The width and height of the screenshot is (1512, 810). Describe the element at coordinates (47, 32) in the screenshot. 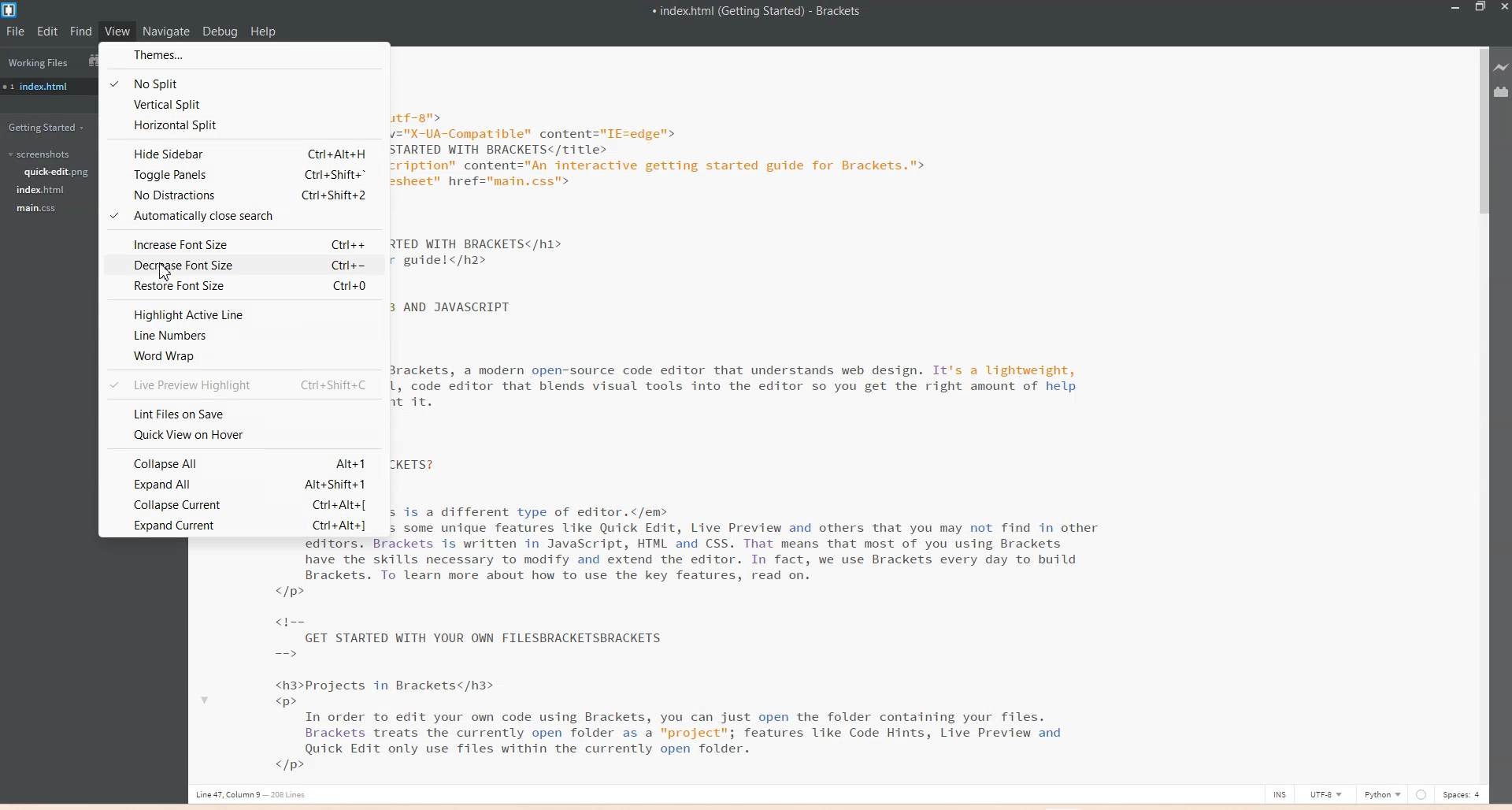

I see `Edit` at that location.